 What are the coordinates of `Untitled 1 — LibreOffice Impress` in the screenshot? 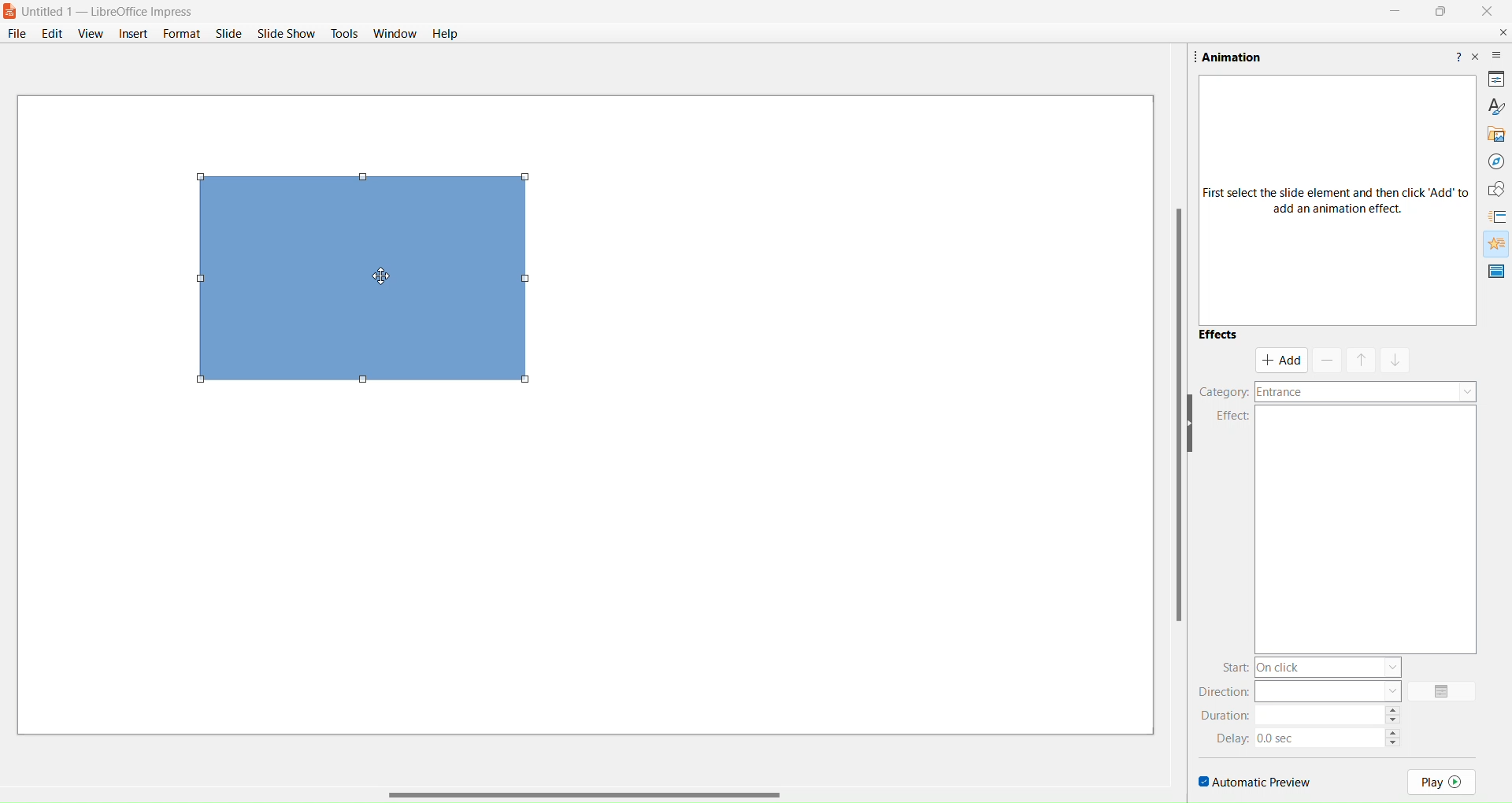 It's located at (117, 10).